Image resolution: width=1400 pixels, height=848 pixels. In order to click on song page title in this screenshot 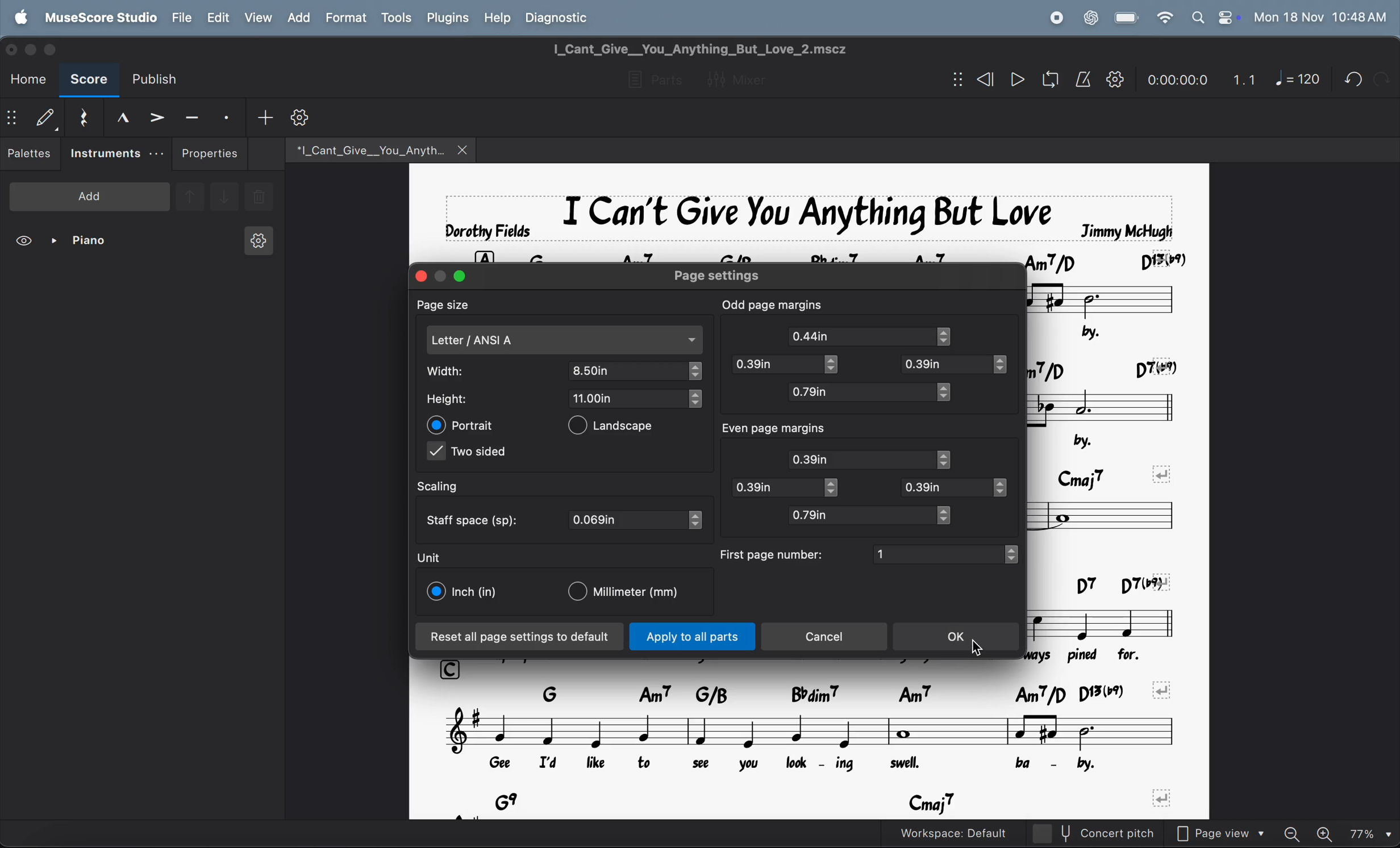, I will do `click(720, 49)`.